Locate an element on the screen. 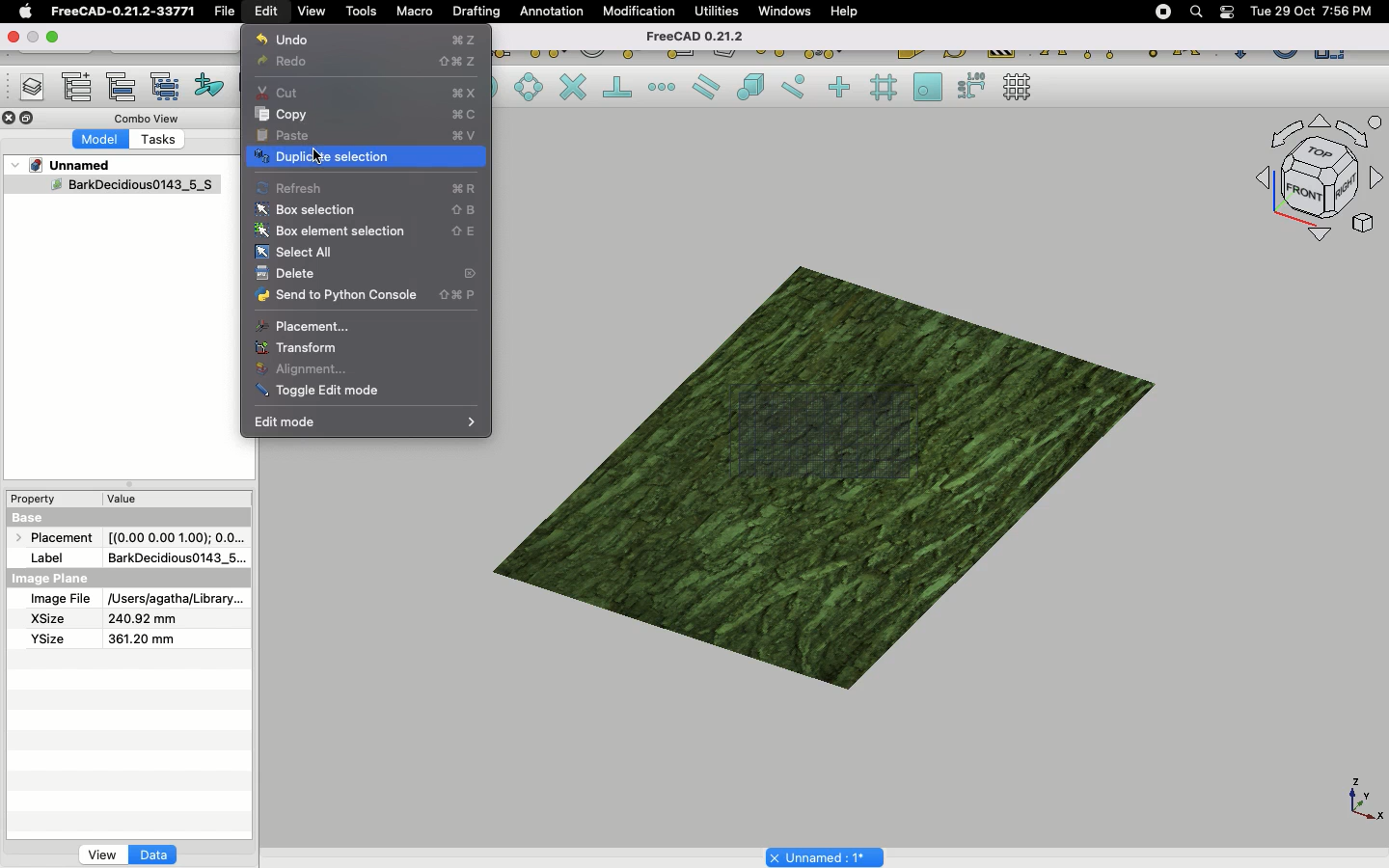 Image resolution: width=1389 pixels, height=868 pixels. Snap special  is located at coordinates (754, 89).